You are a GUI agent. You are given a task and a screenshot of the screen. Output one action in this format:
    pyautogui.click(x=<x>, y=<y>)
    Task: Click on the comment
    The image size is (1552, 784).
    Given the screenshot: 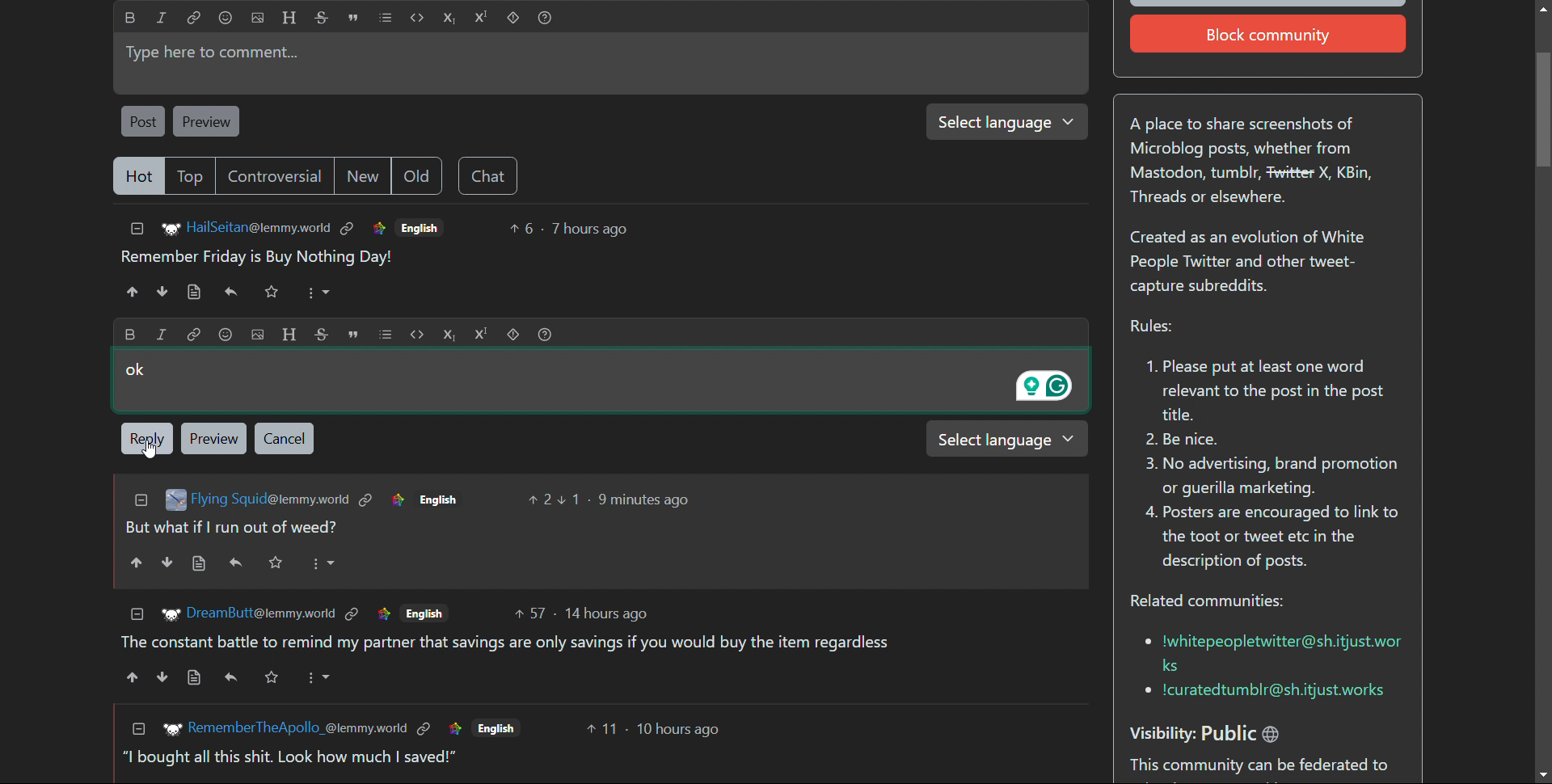 What is the action you would take?
    pyautogui.click(x=257, y=258)
    